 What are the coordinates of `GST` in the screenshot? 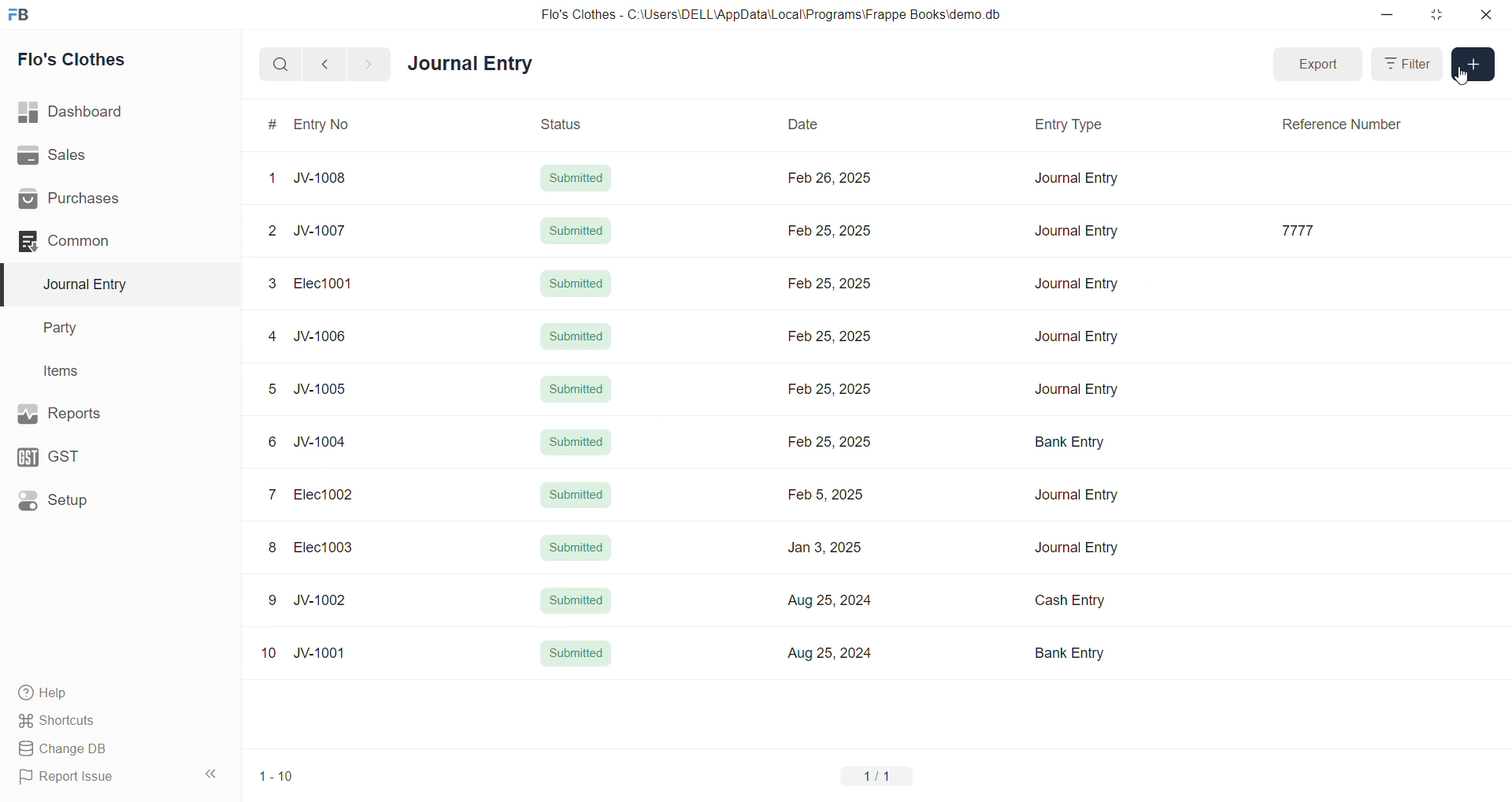 It's located at (86, 457).